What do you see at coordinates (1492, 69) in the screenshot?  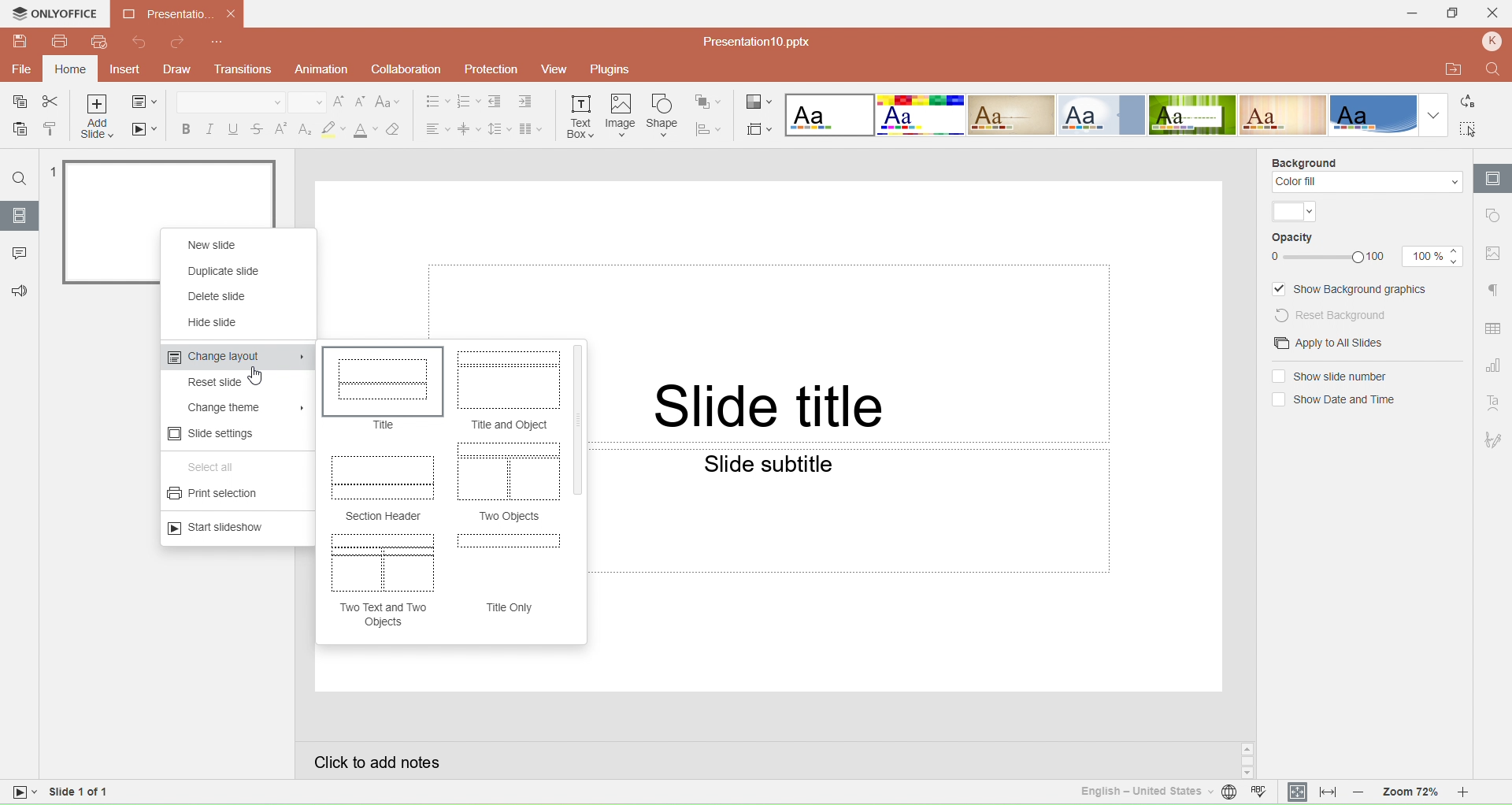 I see `Find` at bounding box center [1492, 69].